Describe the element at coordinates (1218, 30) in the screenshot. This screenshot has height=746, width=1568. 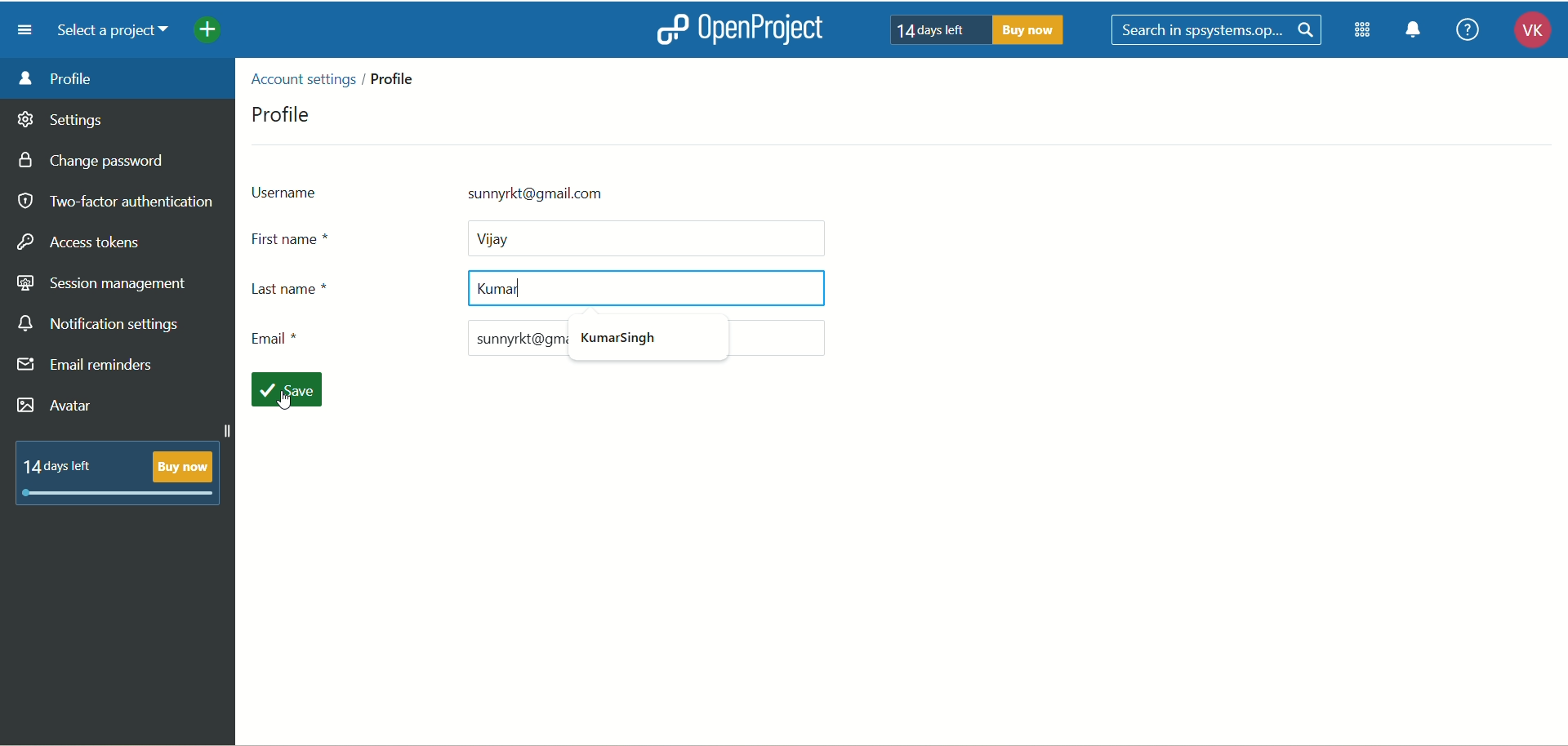
I see `search` at that location.